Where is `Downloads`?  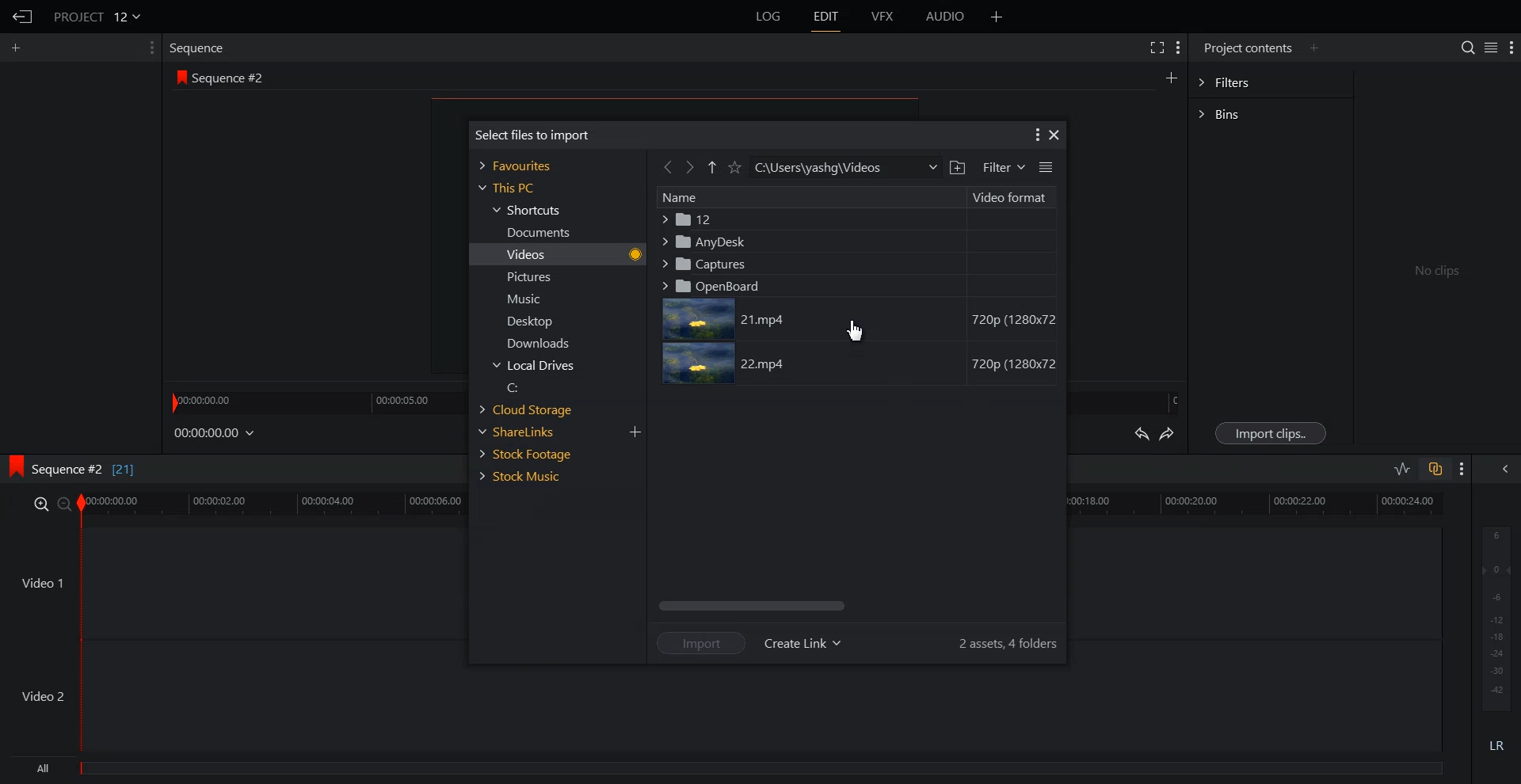 Downloads is located at coordinates (536, 343).